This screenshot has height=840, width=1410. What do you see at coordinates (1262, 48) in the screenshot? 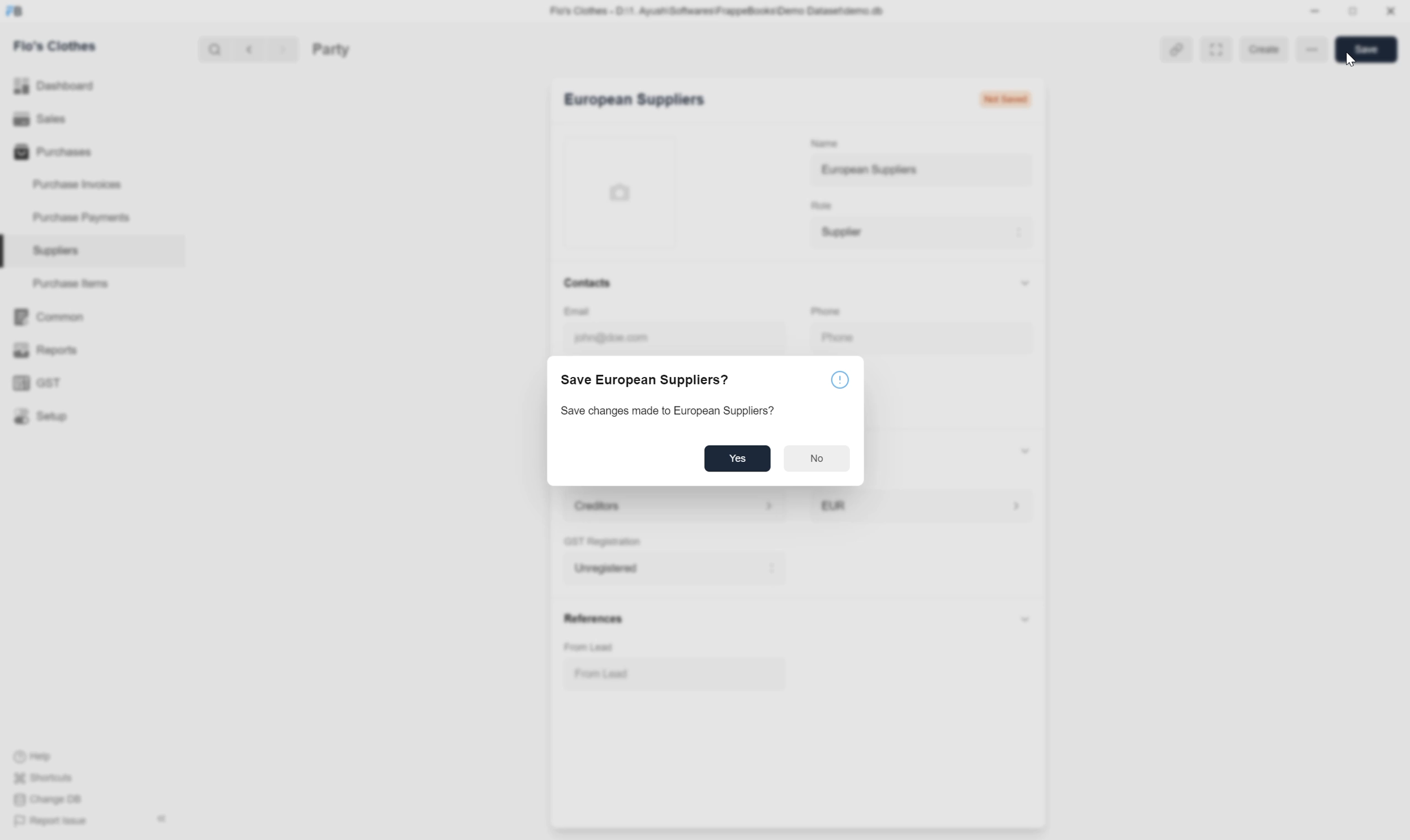
I see `create` at bounding box center [1262, 48].